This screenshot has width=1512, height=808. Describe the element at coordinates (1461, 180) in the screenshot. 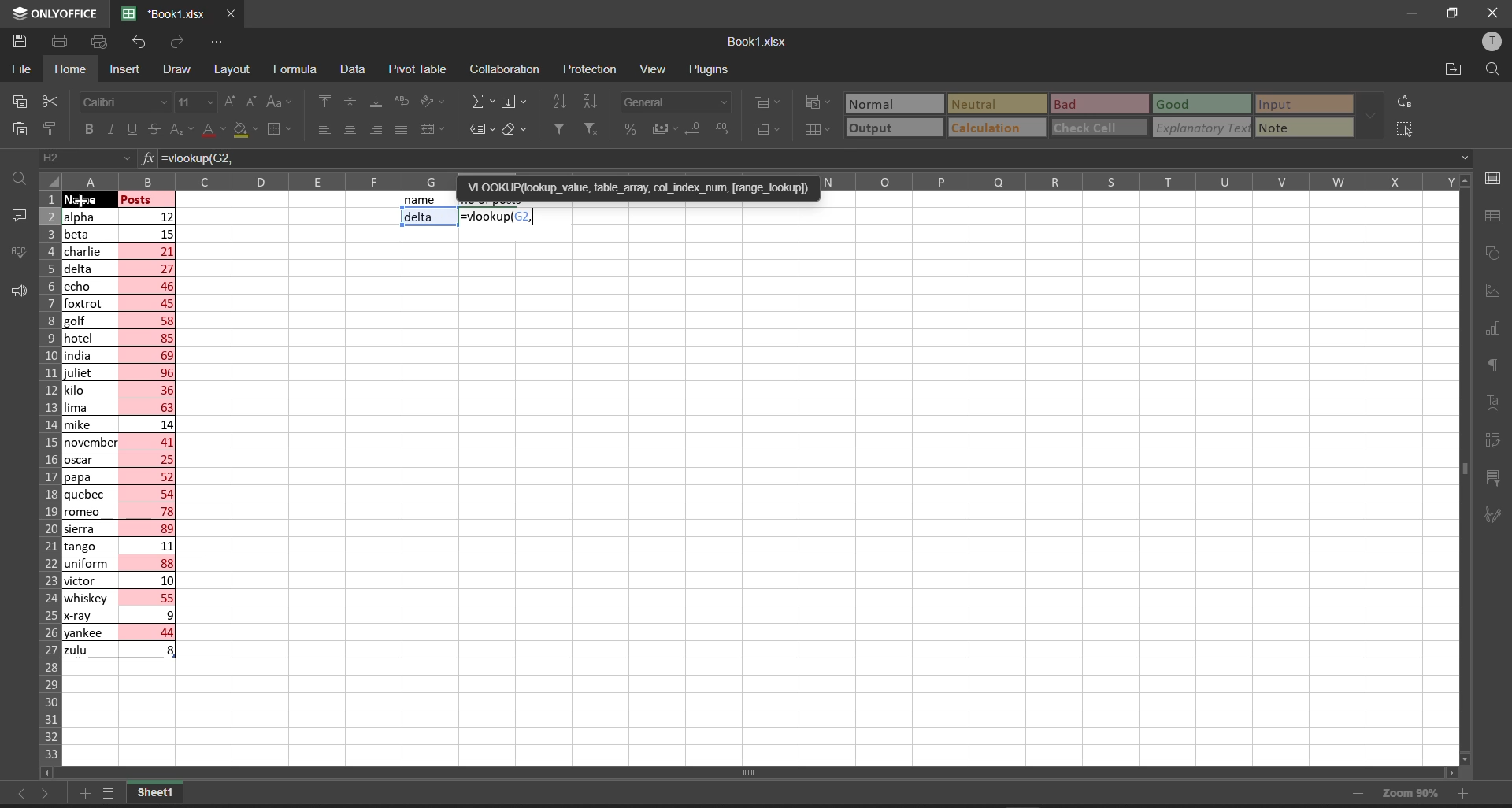

I see `scroll up` at that location.